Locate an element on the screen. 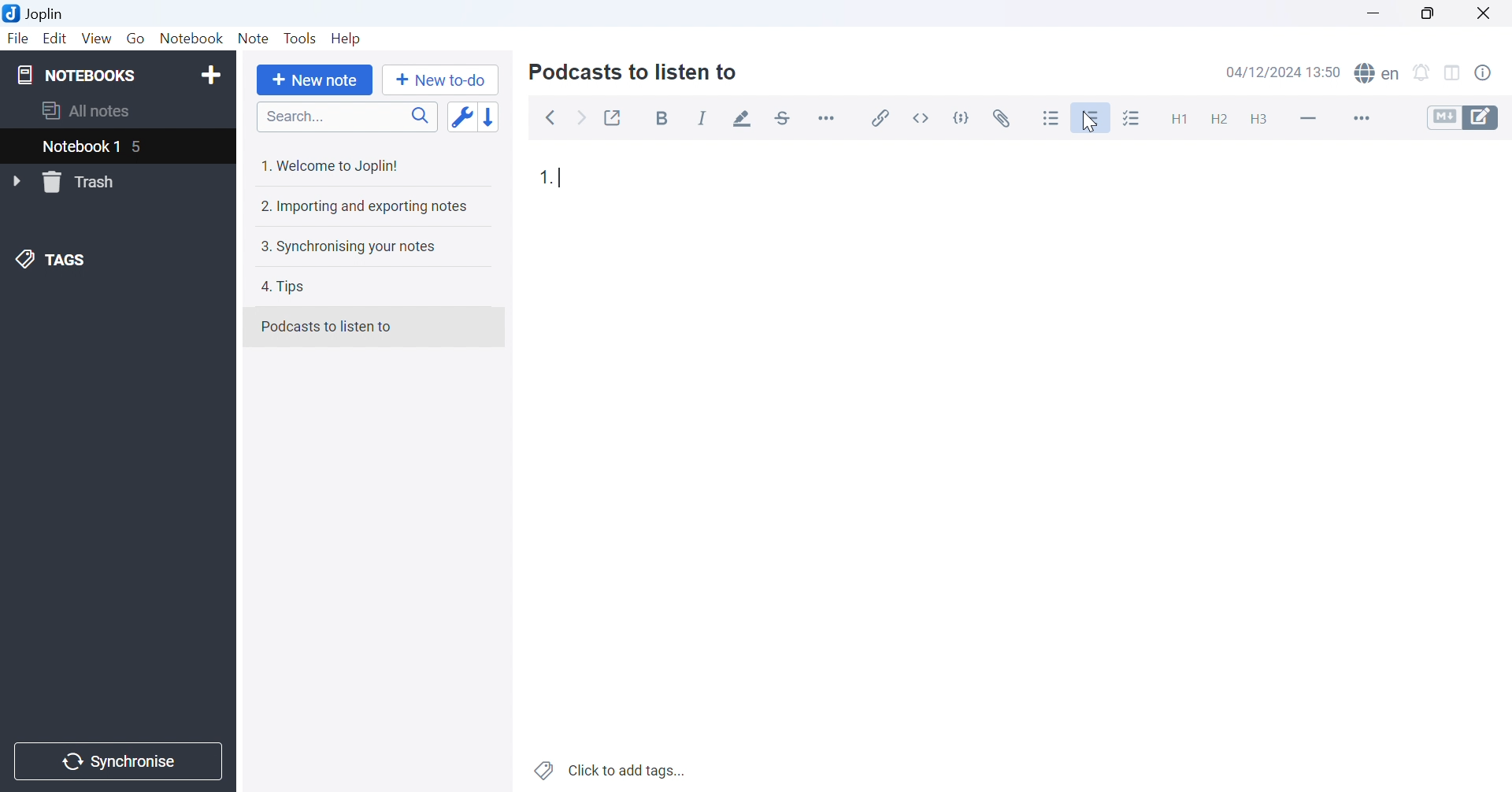 The height and width of the screenshot is (792, 1512). Restore Down is located at coordinates (1425, 12).